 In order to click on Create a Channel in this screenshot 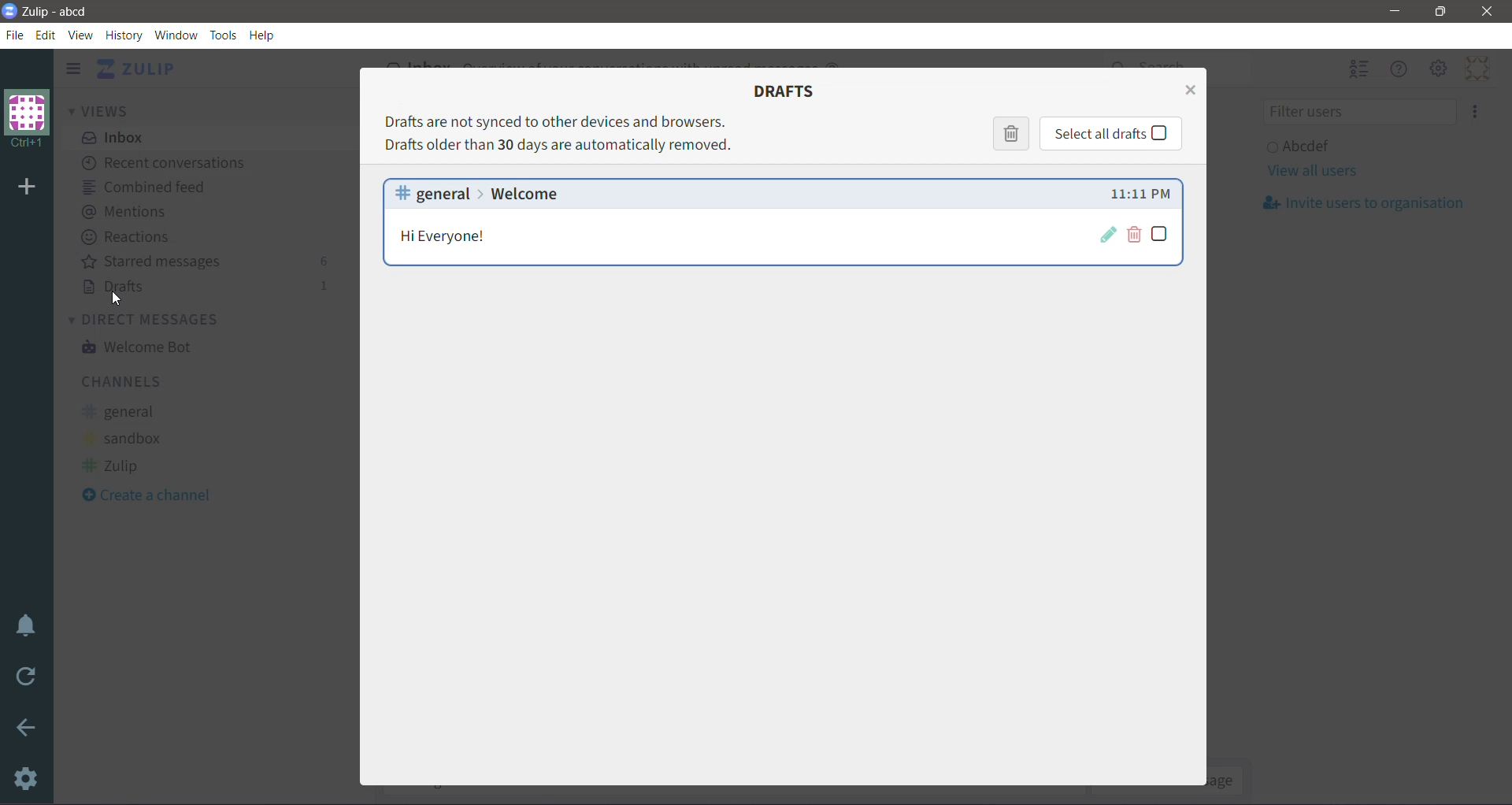, I will do `click(153, 496)`.